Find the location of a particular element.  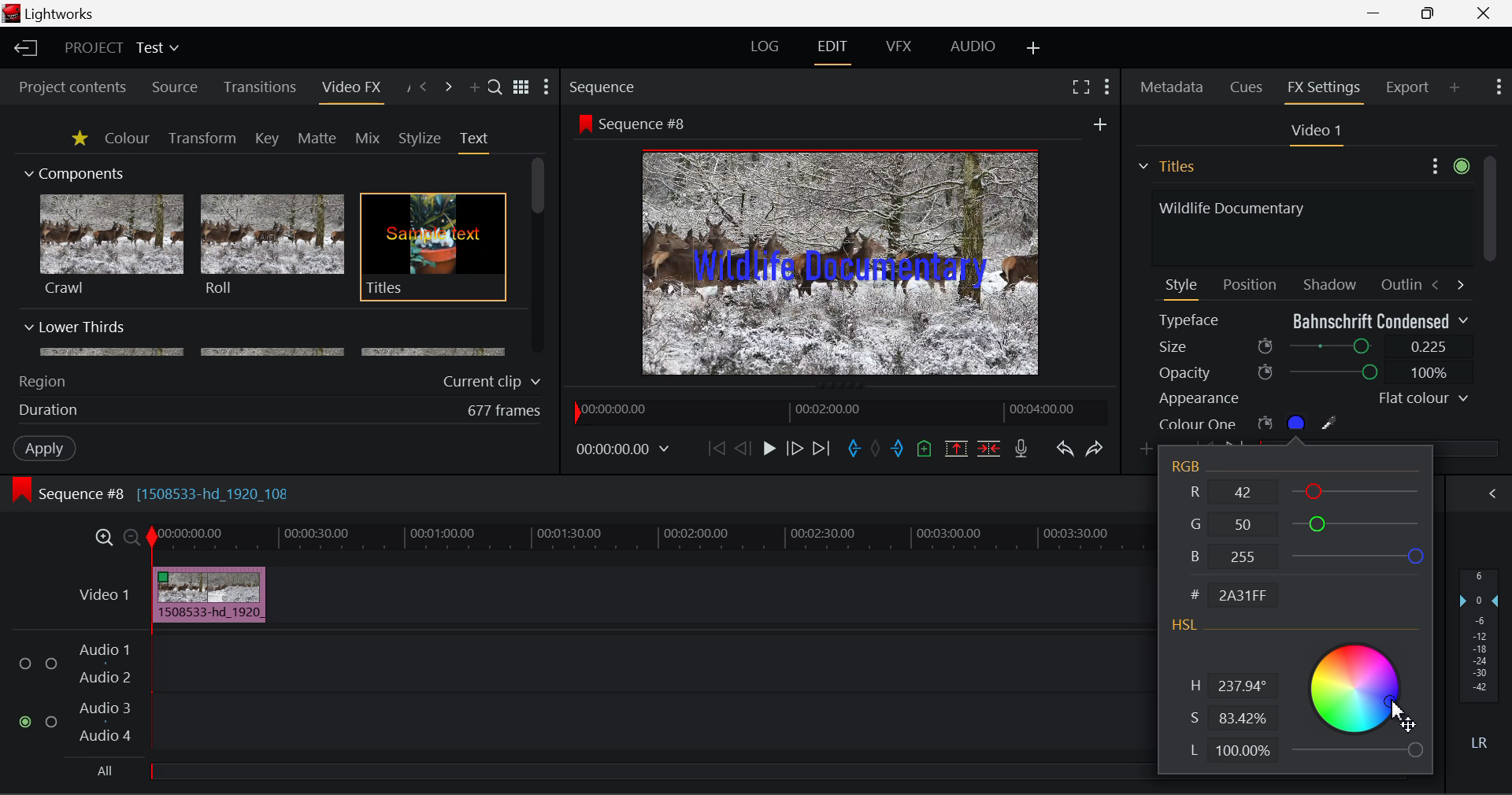

Previous Panel is located at coordinates (422, 88).